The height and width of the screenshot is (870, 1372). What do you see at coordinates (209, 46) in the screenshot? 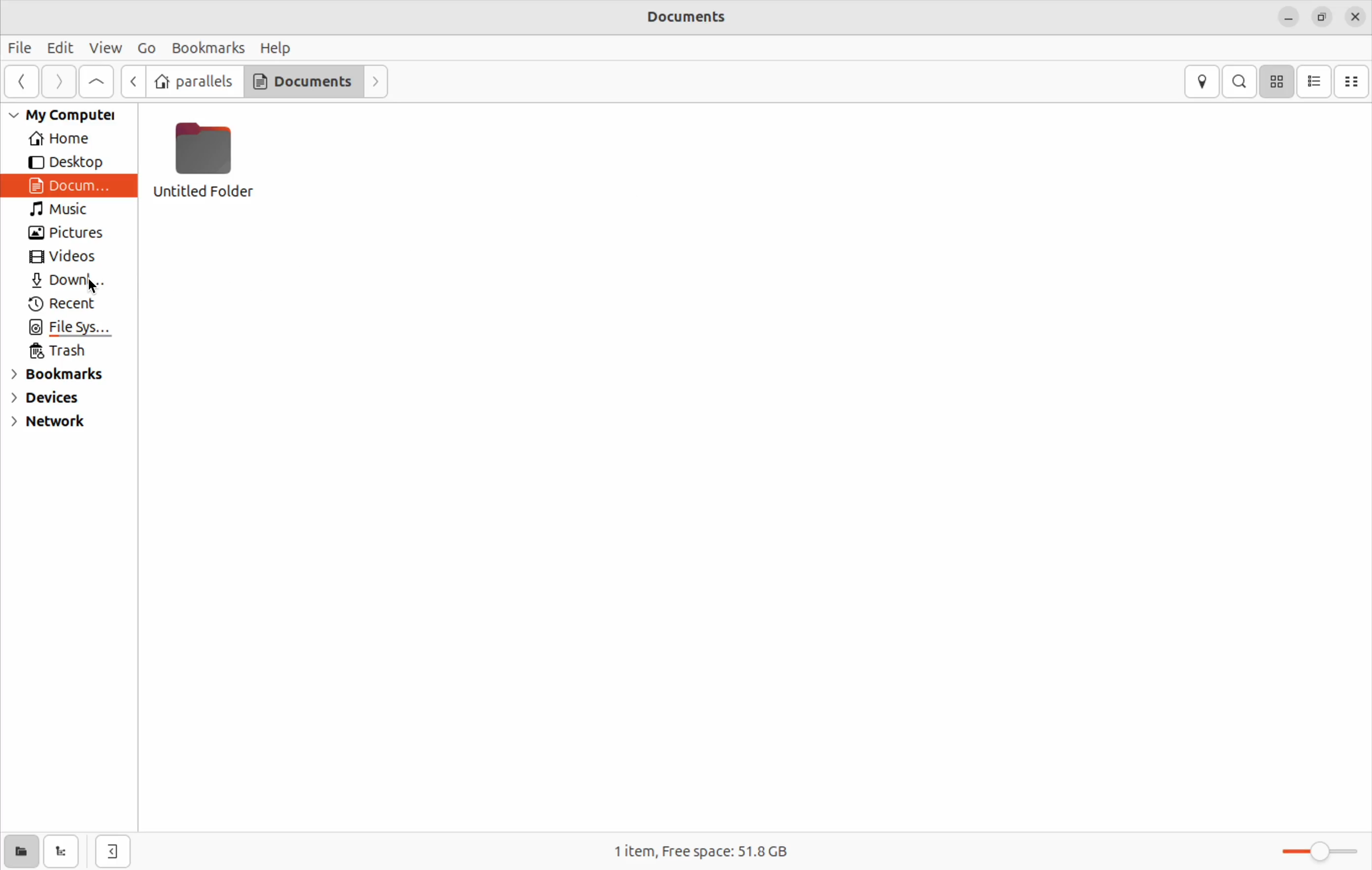
I see `bookmarks` at bounding box center [209, 46].